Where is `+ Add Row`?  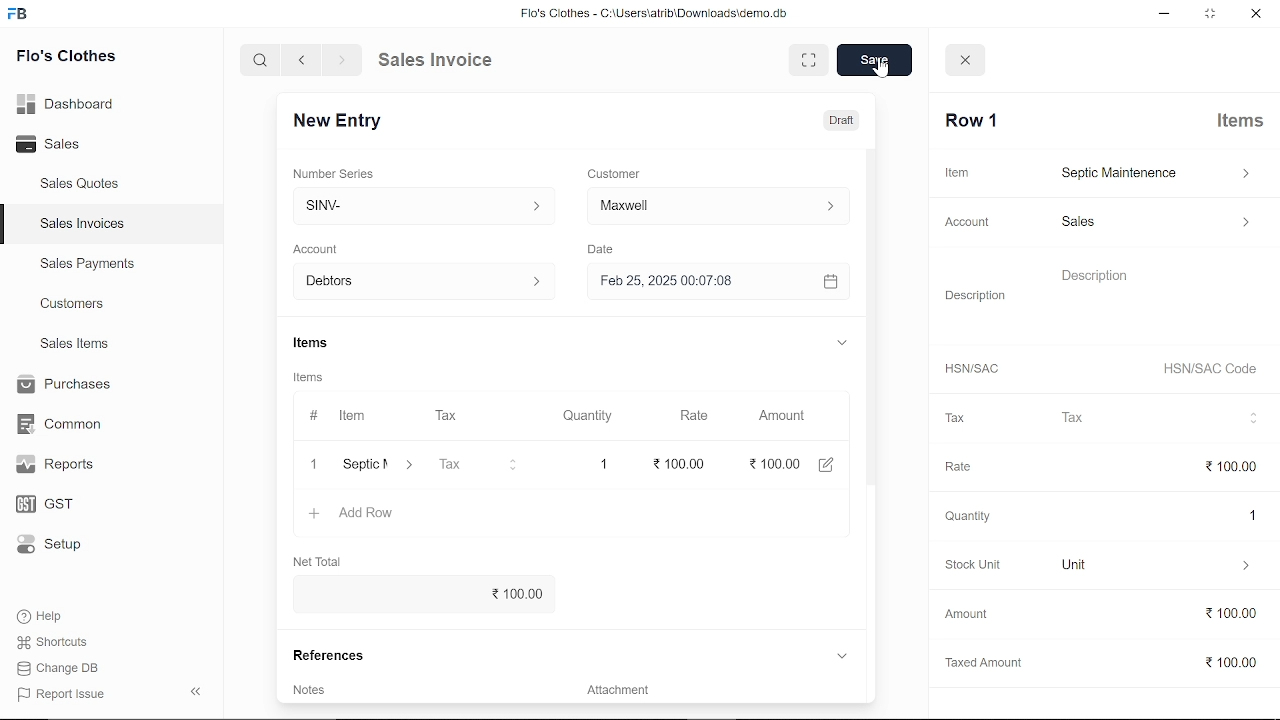 + Add Row is located at coordinates (357, 514).